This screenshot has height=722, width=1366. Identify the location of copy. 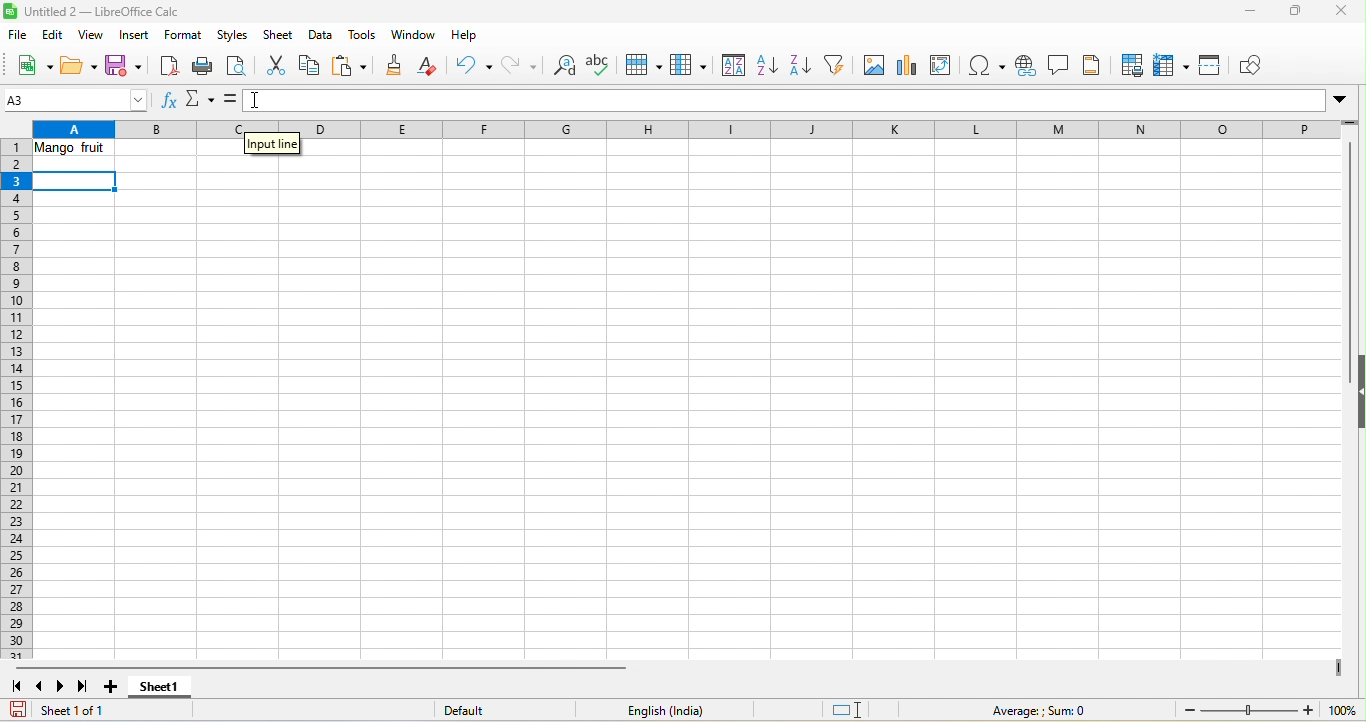
(310, 67).